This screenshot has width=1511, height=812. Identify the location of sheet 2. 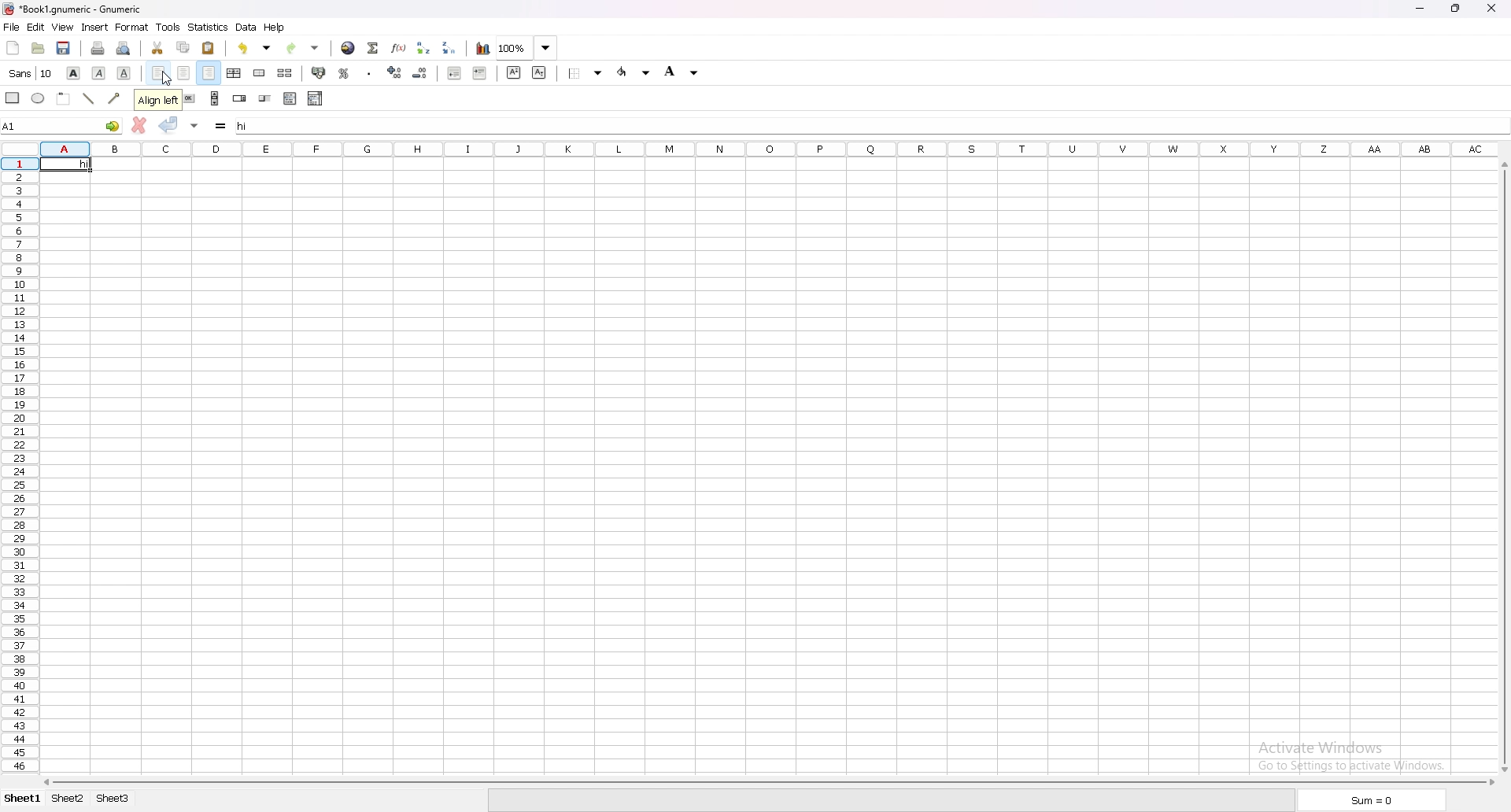
(68, 798).